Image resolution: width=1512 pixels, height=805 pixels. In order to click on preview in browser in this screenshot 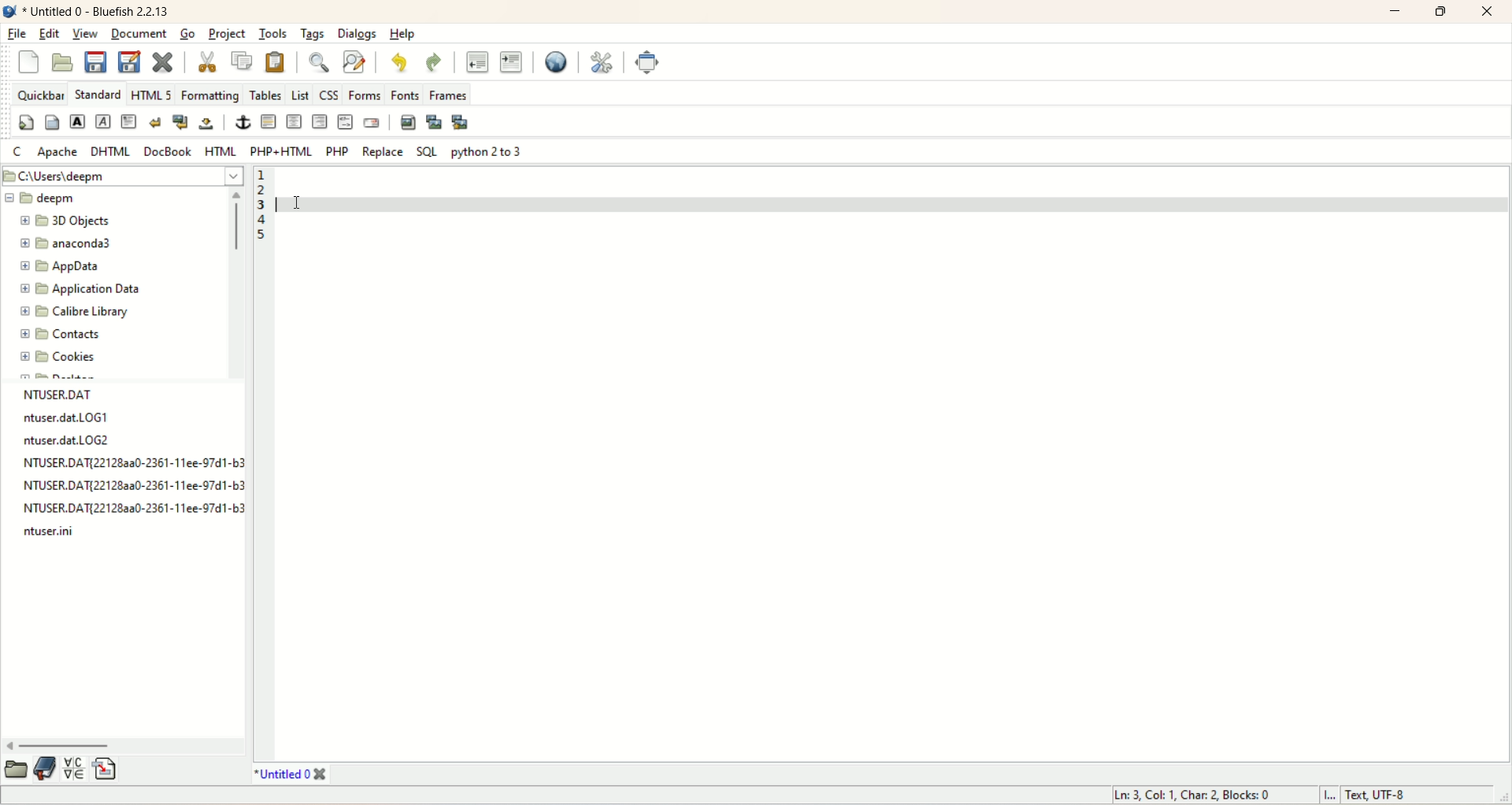, I will do `click(554, 63)`.